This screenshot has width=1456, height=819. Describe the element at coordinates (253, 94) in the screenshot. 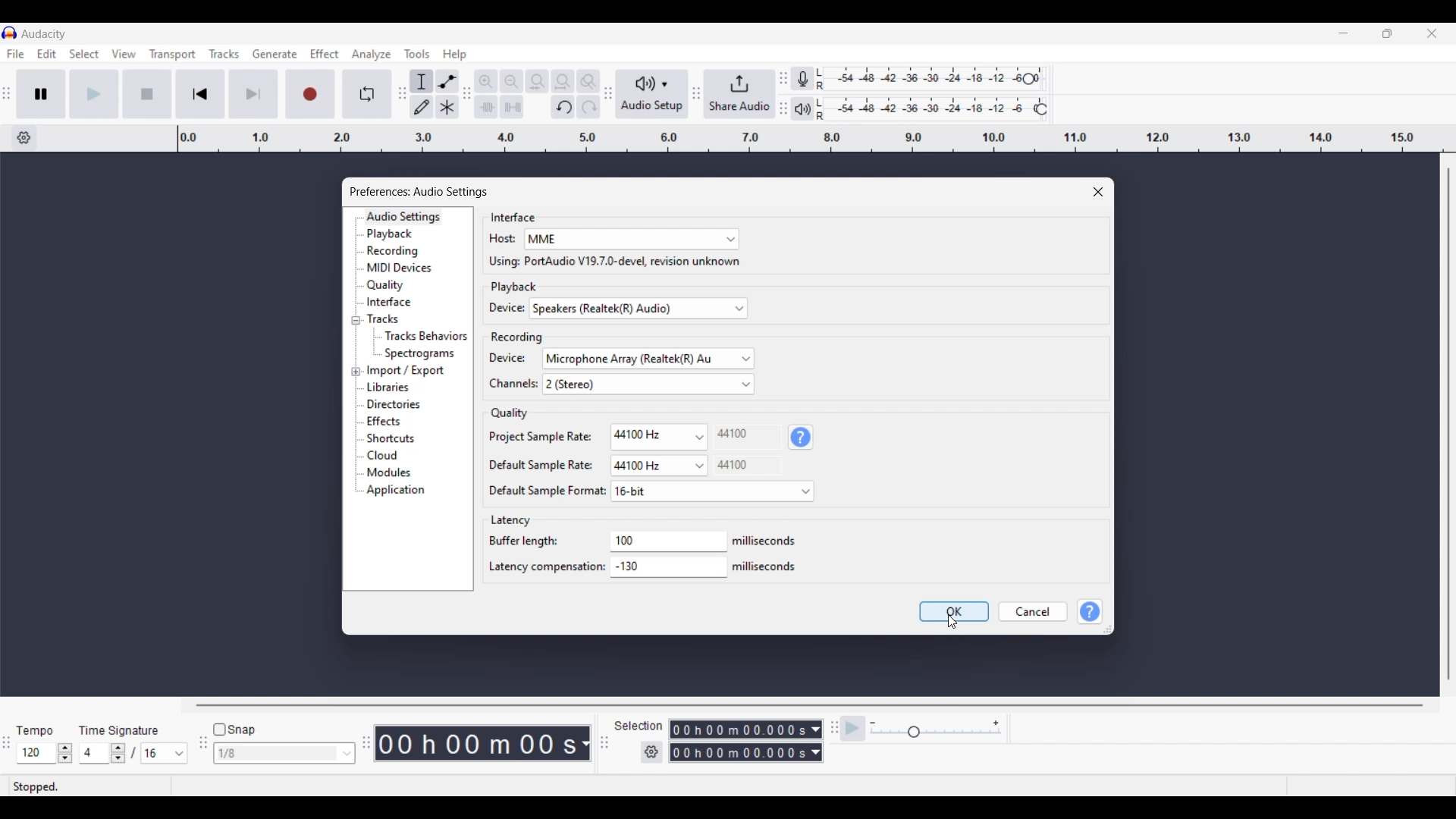

I see `Skip to end/Select to end` at that location.